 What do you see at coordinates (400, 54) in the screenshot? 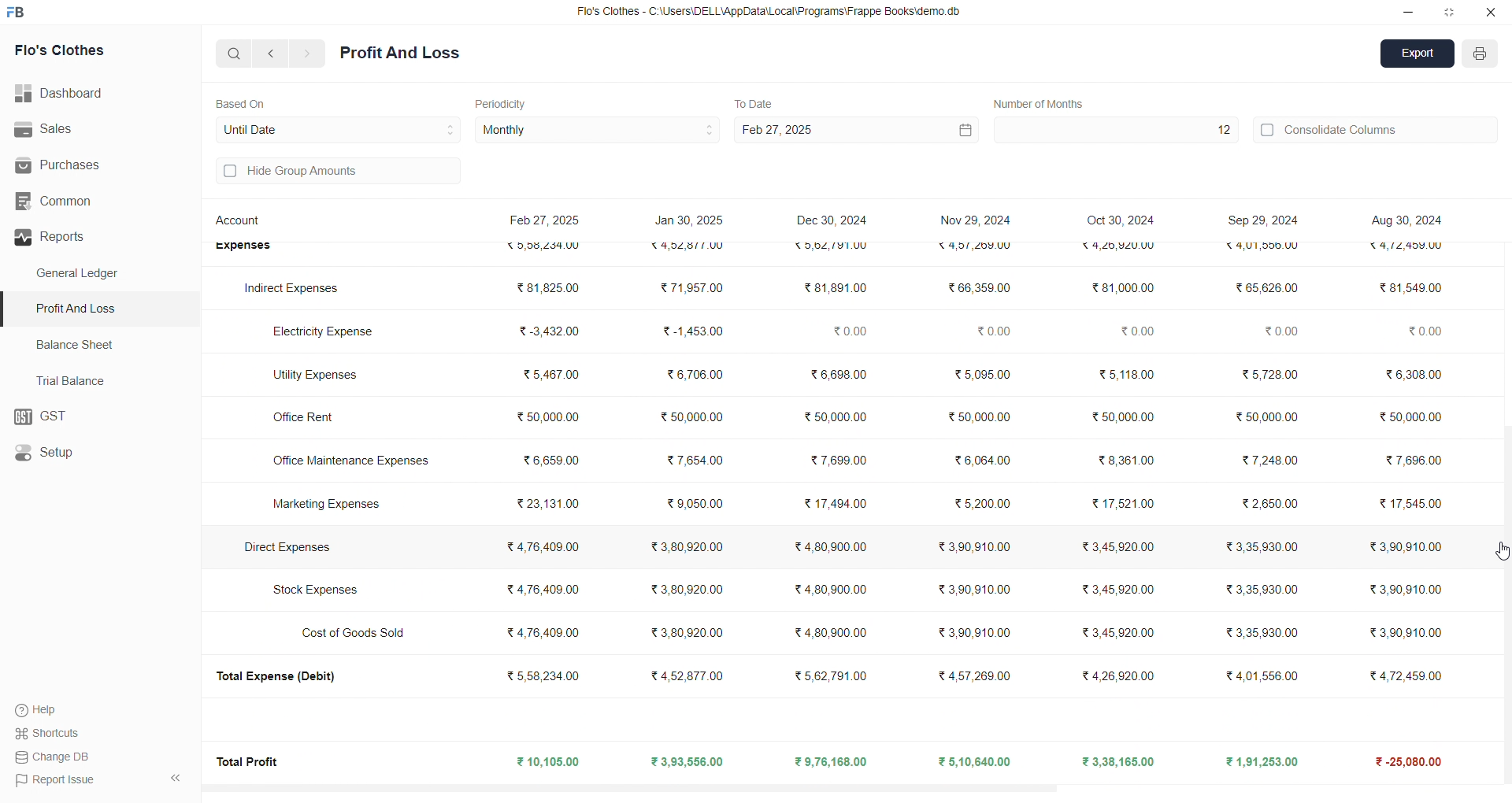
I see `Profit And Loss` at bounding box center [400, 54].